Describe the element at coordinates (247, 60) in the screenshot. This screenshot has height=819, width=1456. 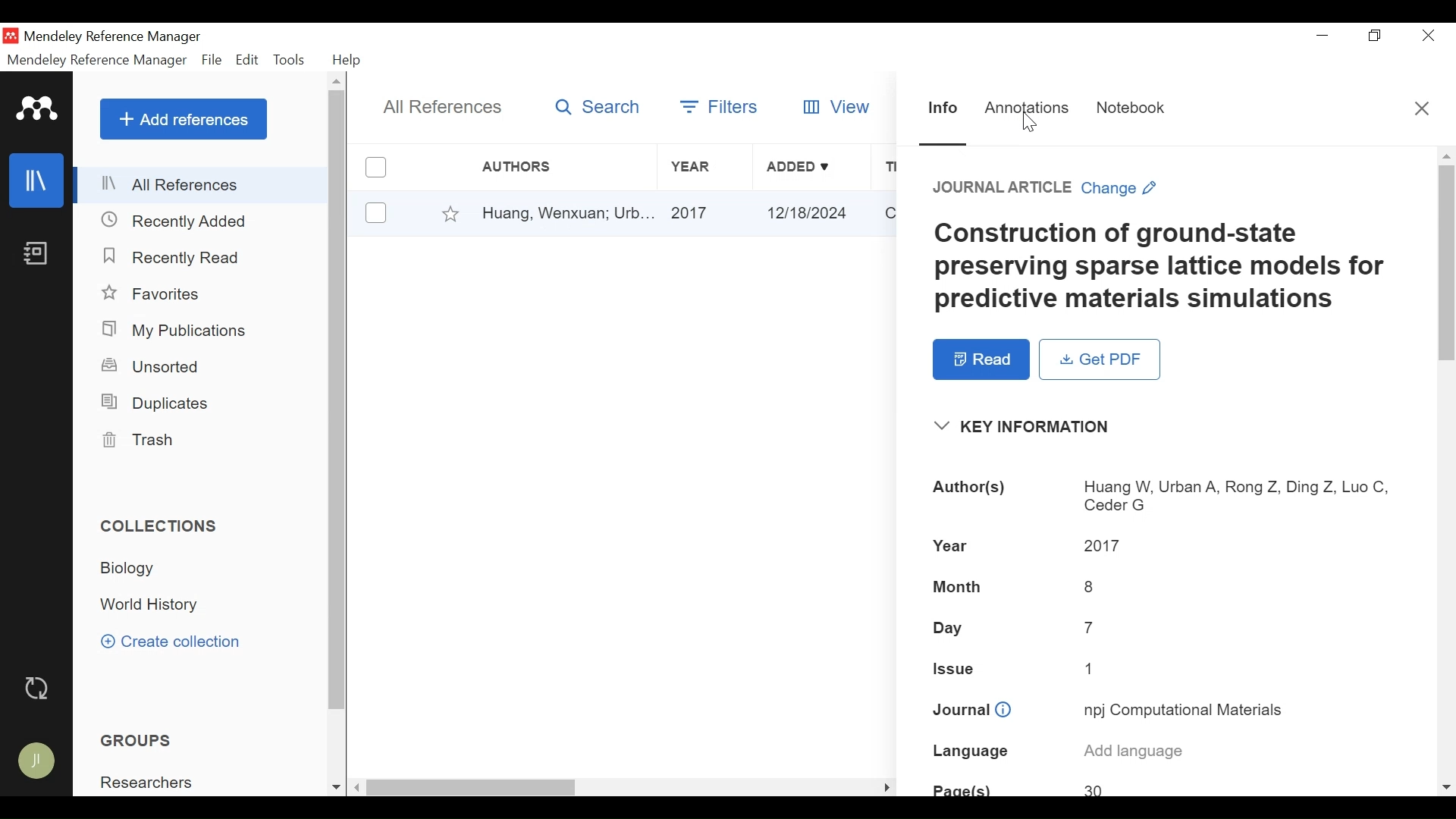
I see `Edit` at that location.